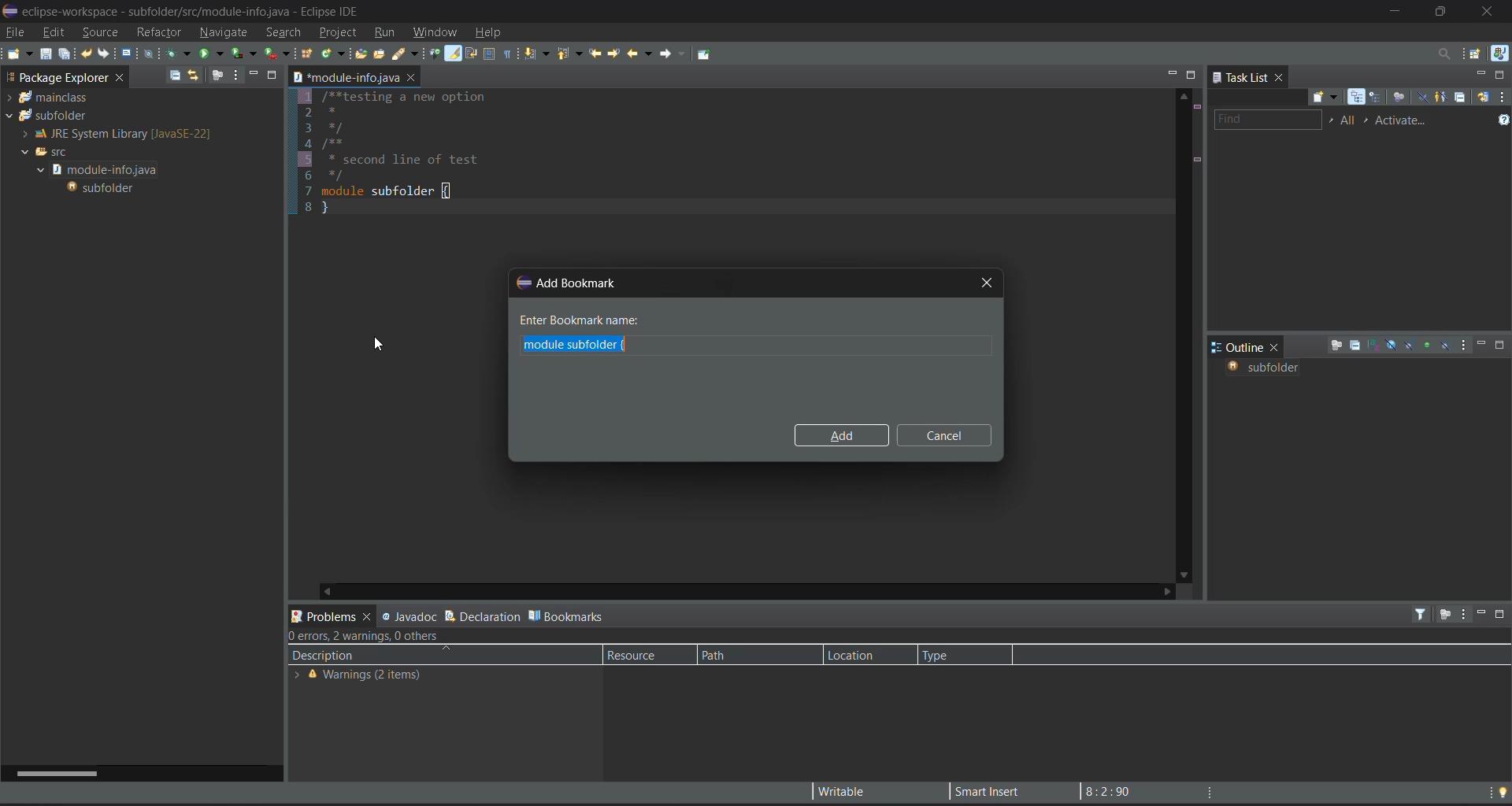 This screenshot has width=1512, height=806. Describe the element at coordinates (847, 792) in the screenshot. I see `writable` at that location.